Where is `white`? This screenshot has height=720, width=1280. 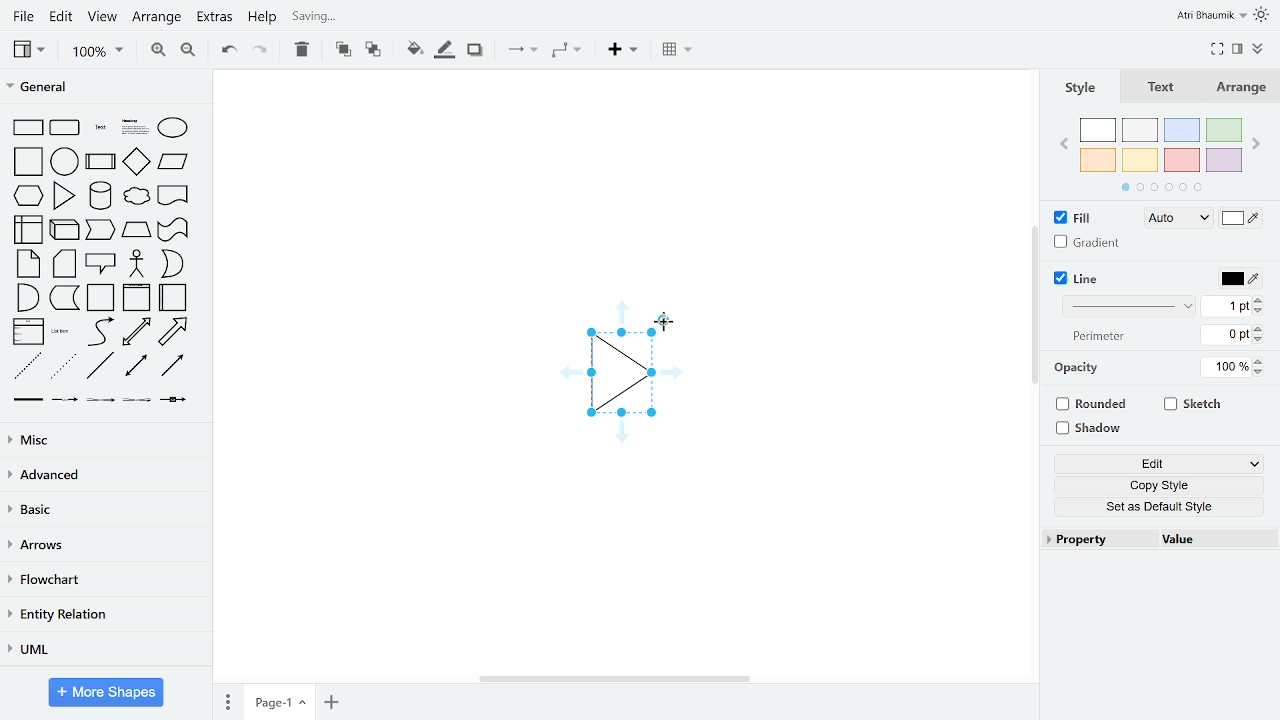
white is located at coordinates (1099, 130).